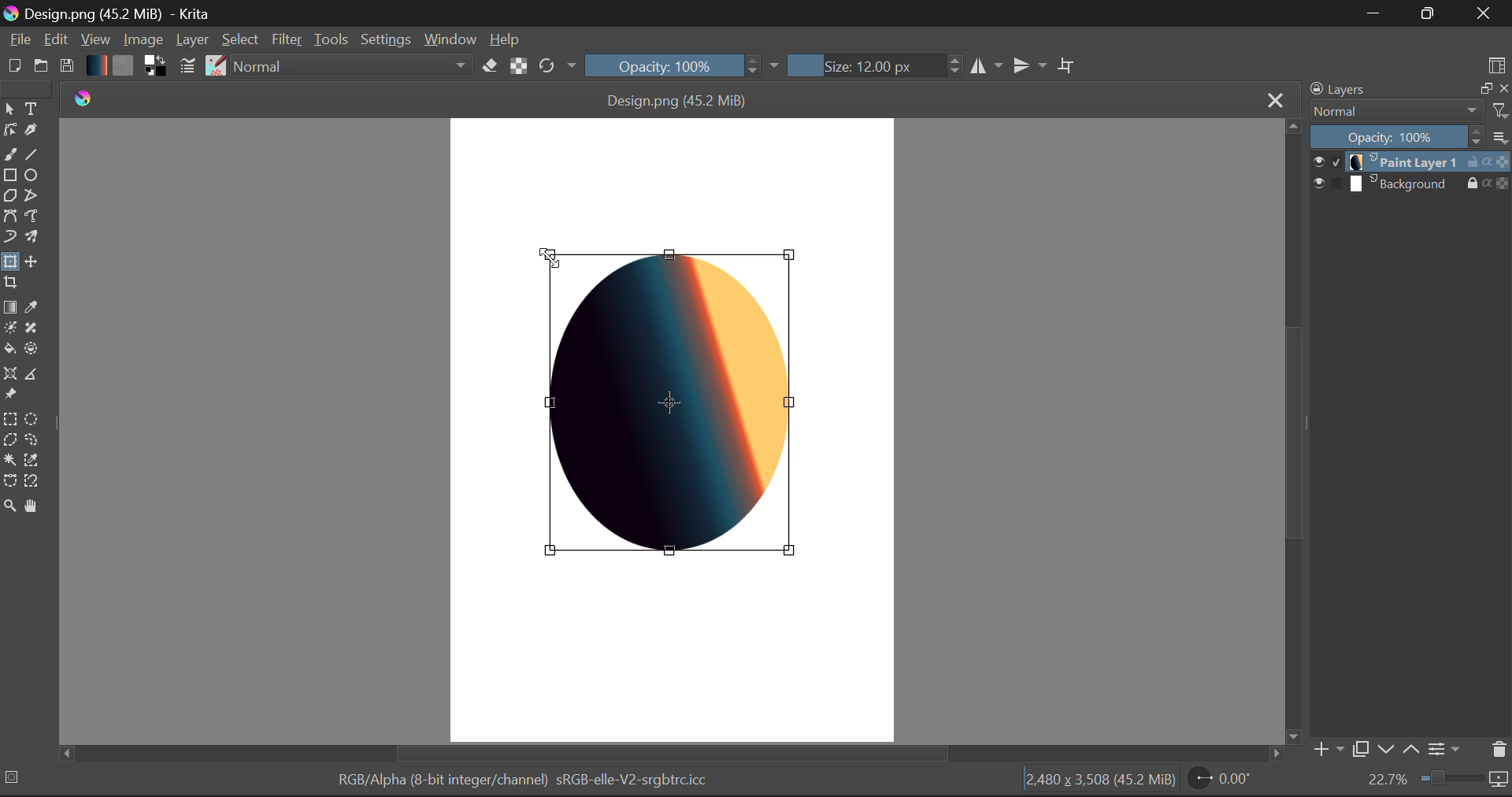 Image resolution: width=1512 pixels, height=797 pixels. I want to click on File, so click(17, 39).